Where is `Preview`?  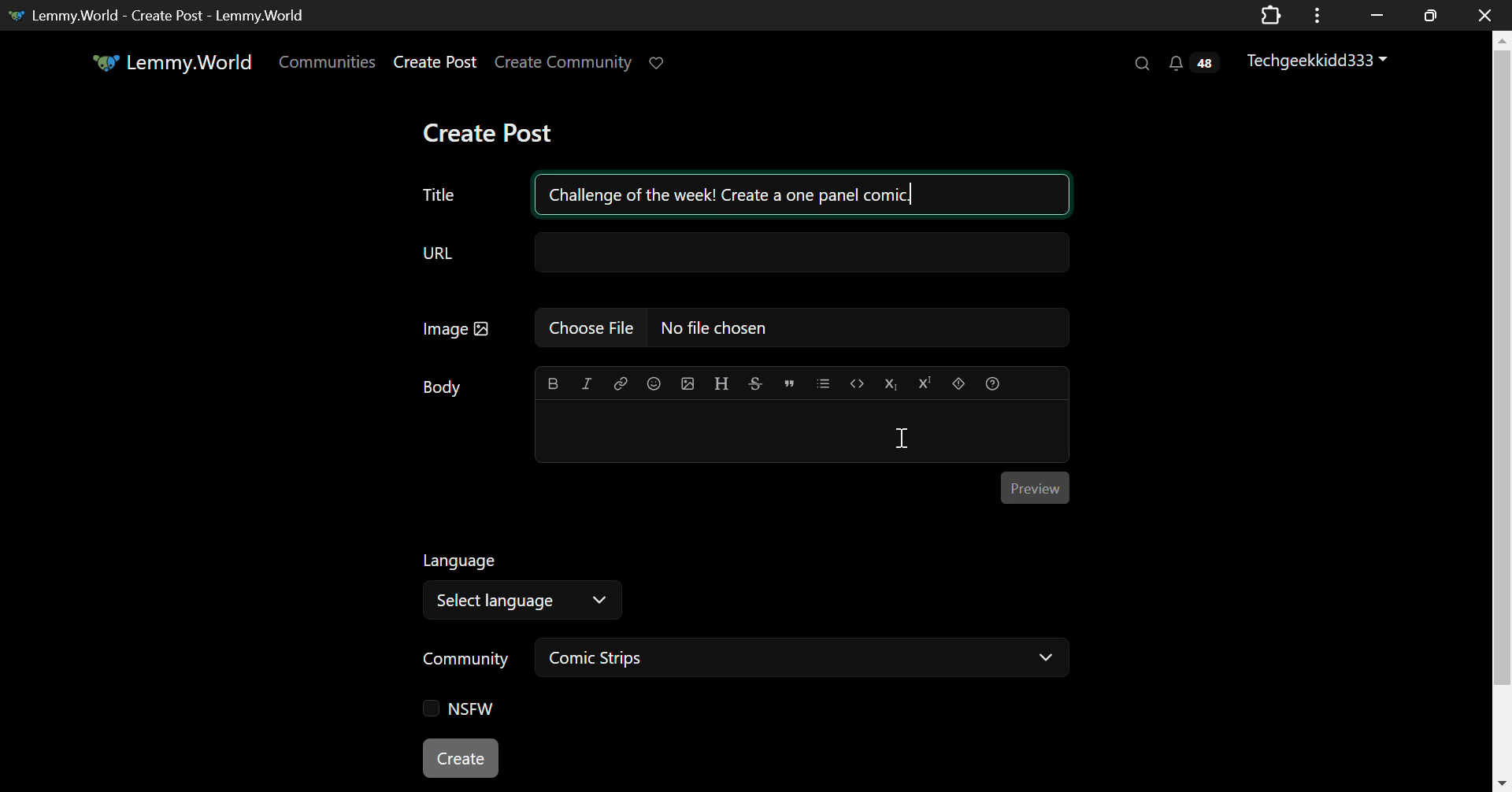
Preview is located at coordinates (1036, 487).